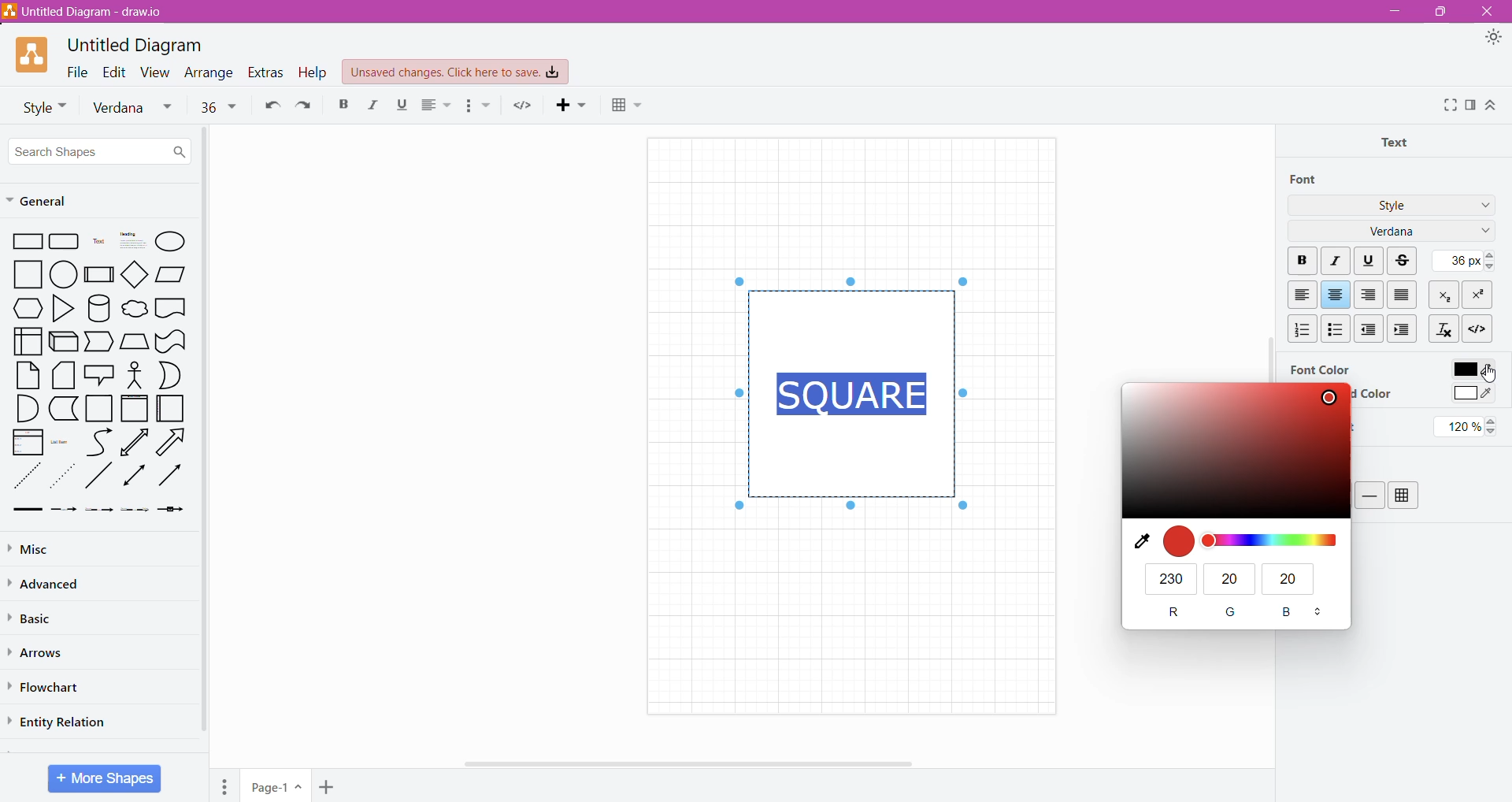  I want to click on Bulleted list, so click(480, 106).